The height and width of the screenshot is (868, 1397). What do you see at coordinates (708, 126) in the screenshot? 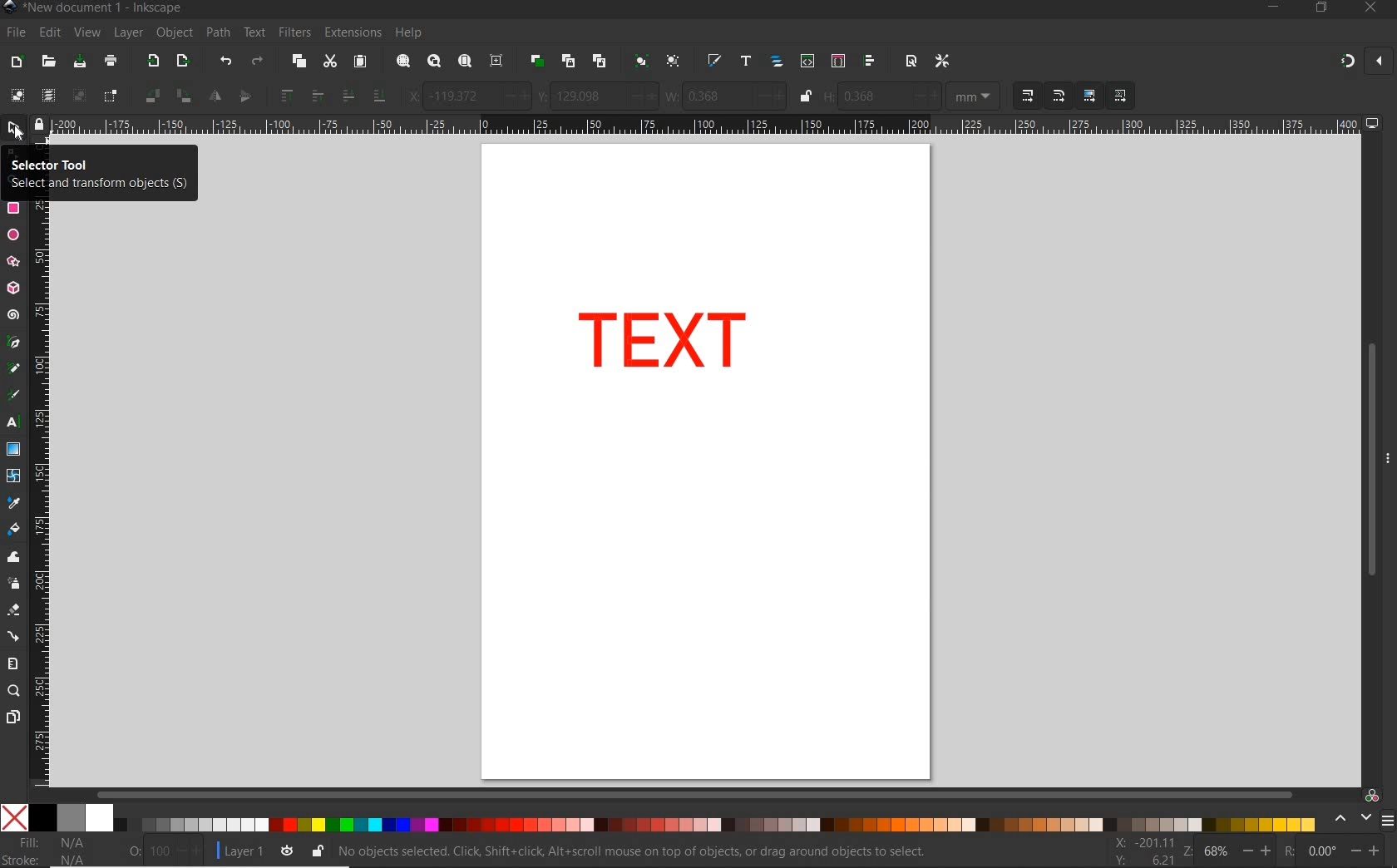
I see `RULER` at bounding box center [708, 126].